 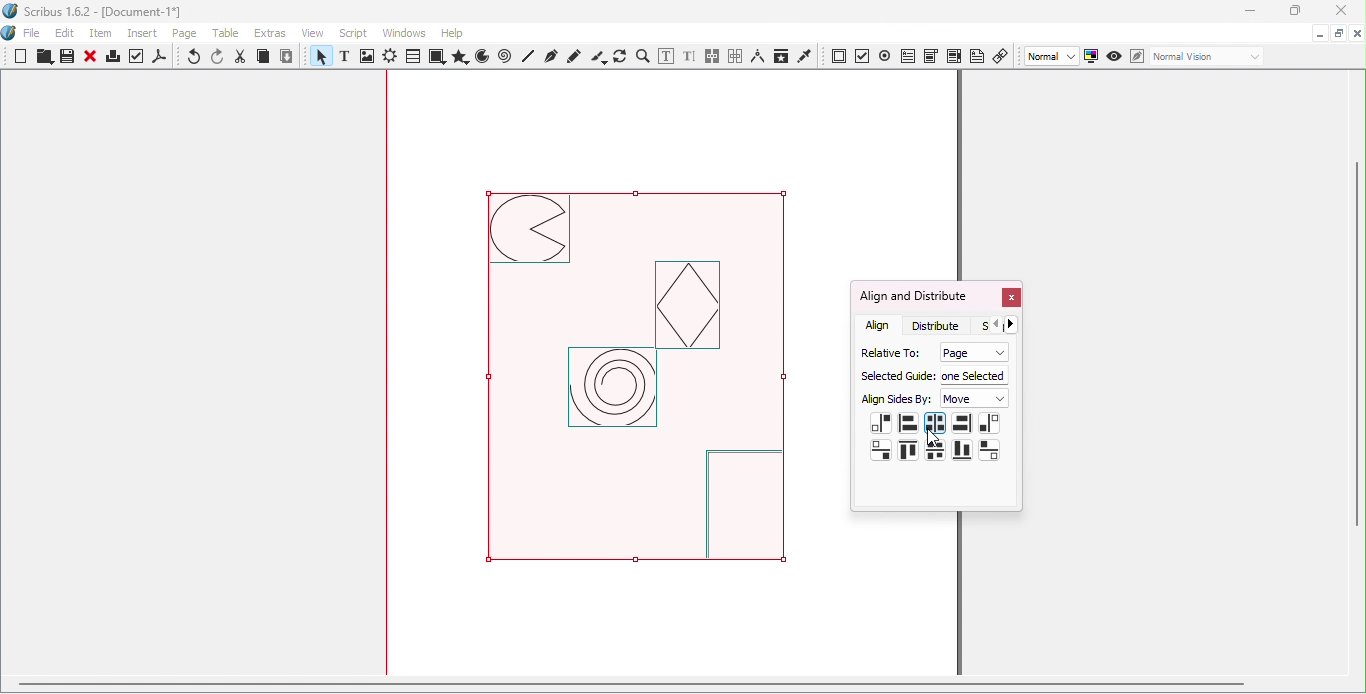 What do you see at coordinates (805, 55) in the screenshot?
I see `Eye dropper` at bounding box center [805, 55].